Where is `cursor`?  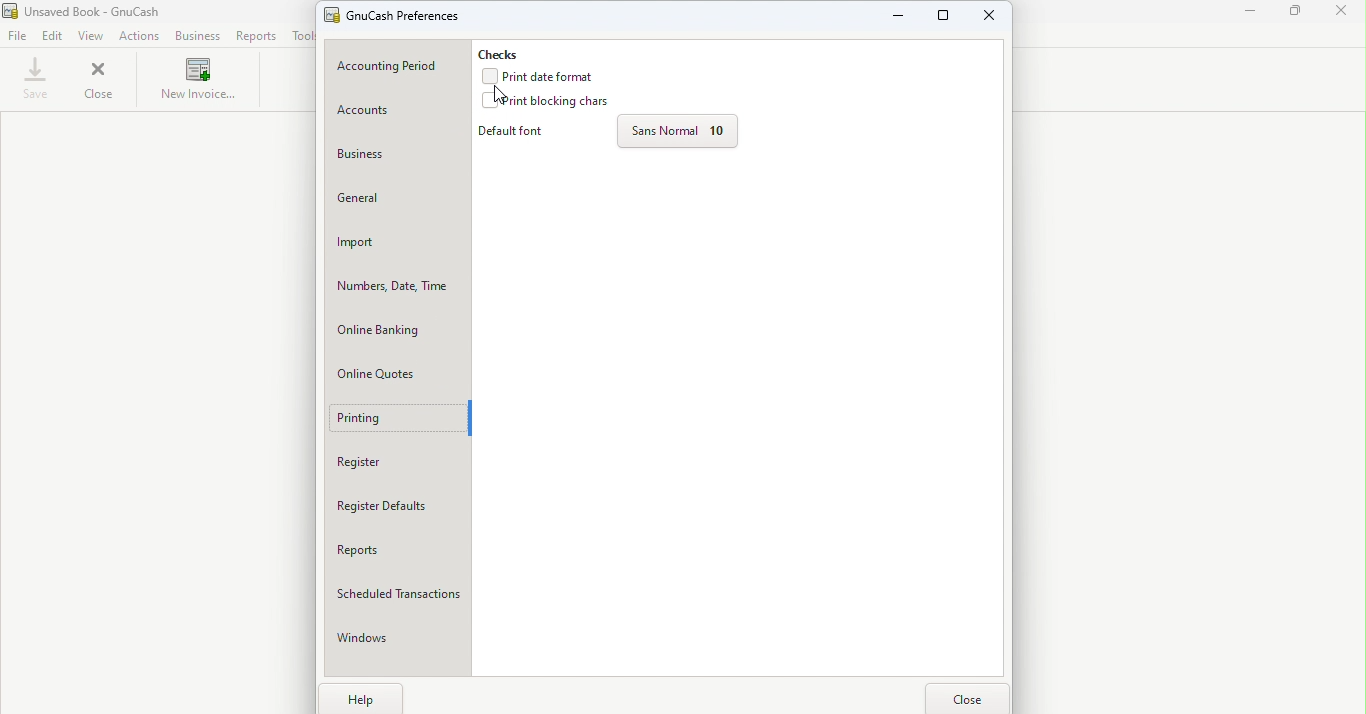 cursor is located at coordinates (499, 96).